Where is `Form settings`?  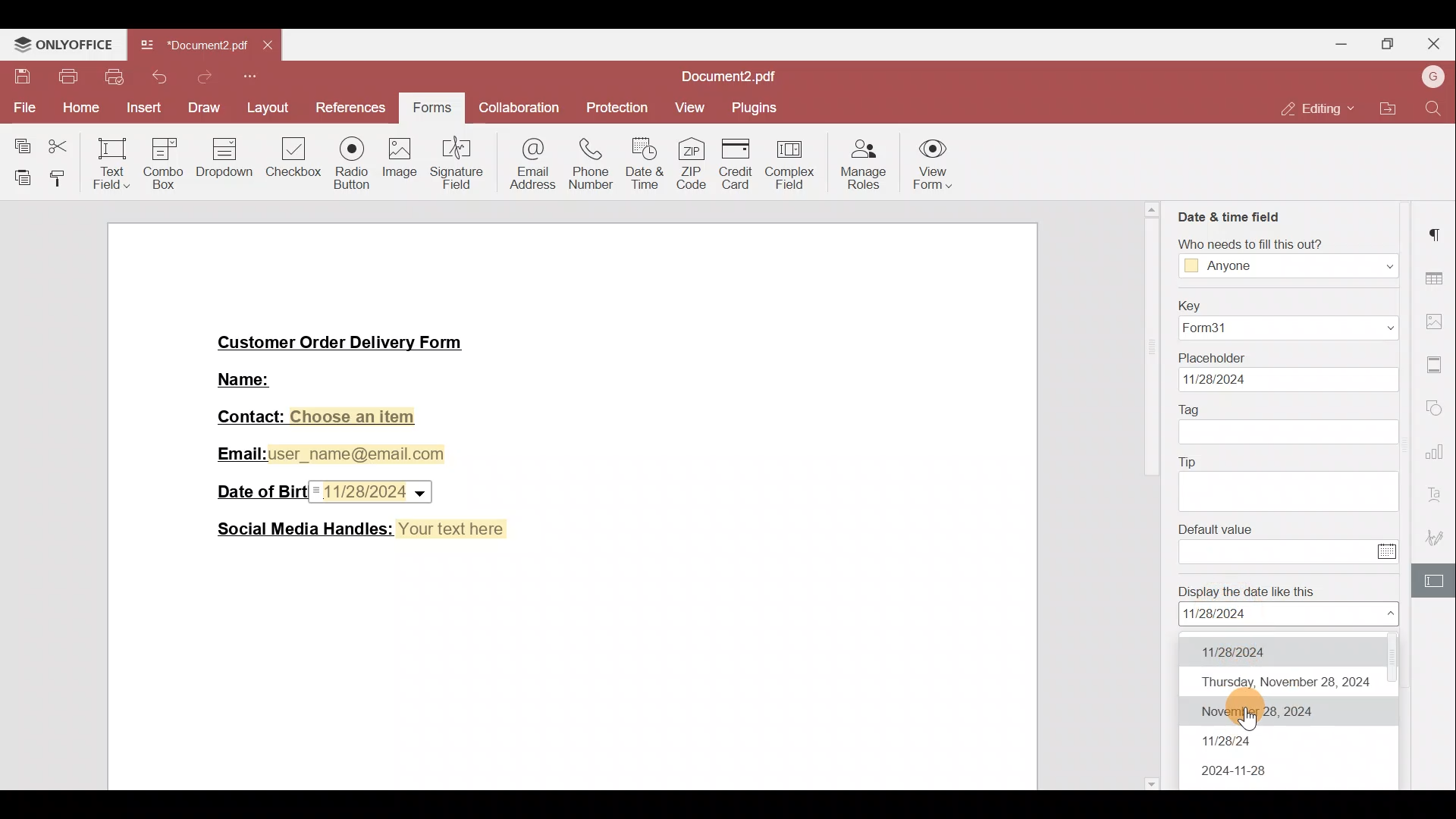 Form settings is located at coordinates (1437, 583).